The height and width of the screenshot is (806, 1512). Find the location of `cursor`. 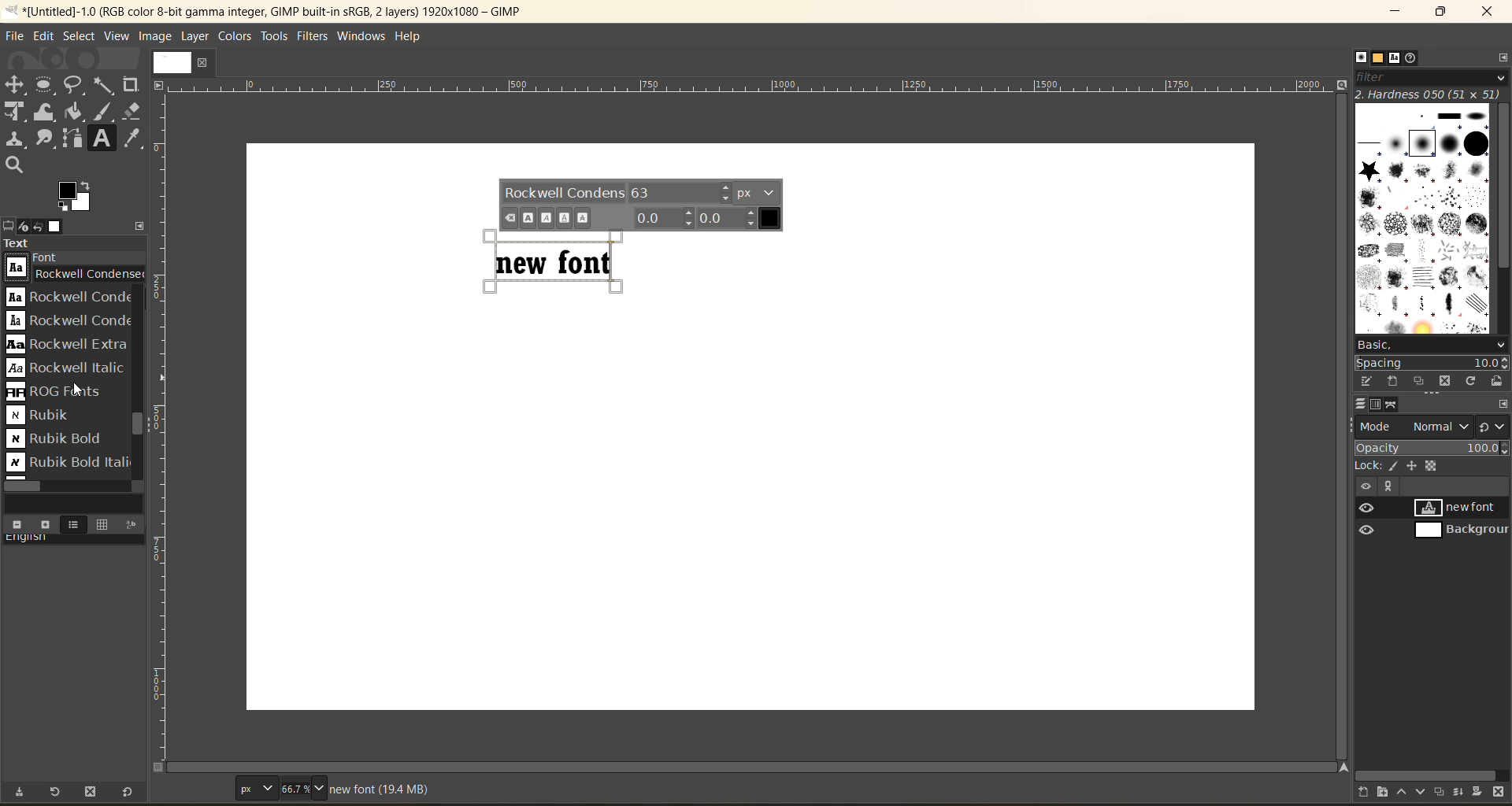

cursor is located at coordinates (26, 277).